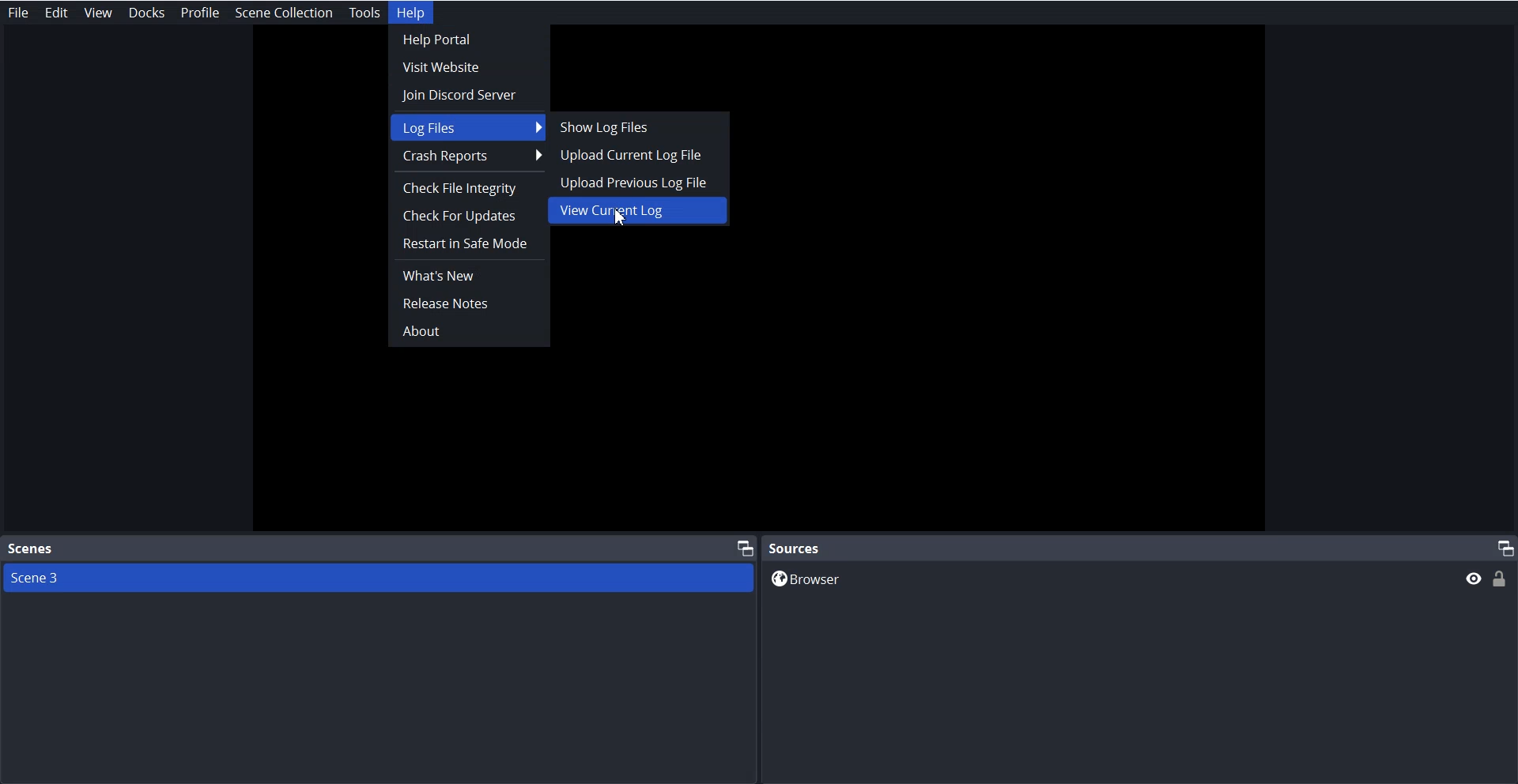  I want to click on File, so click(17, 12).